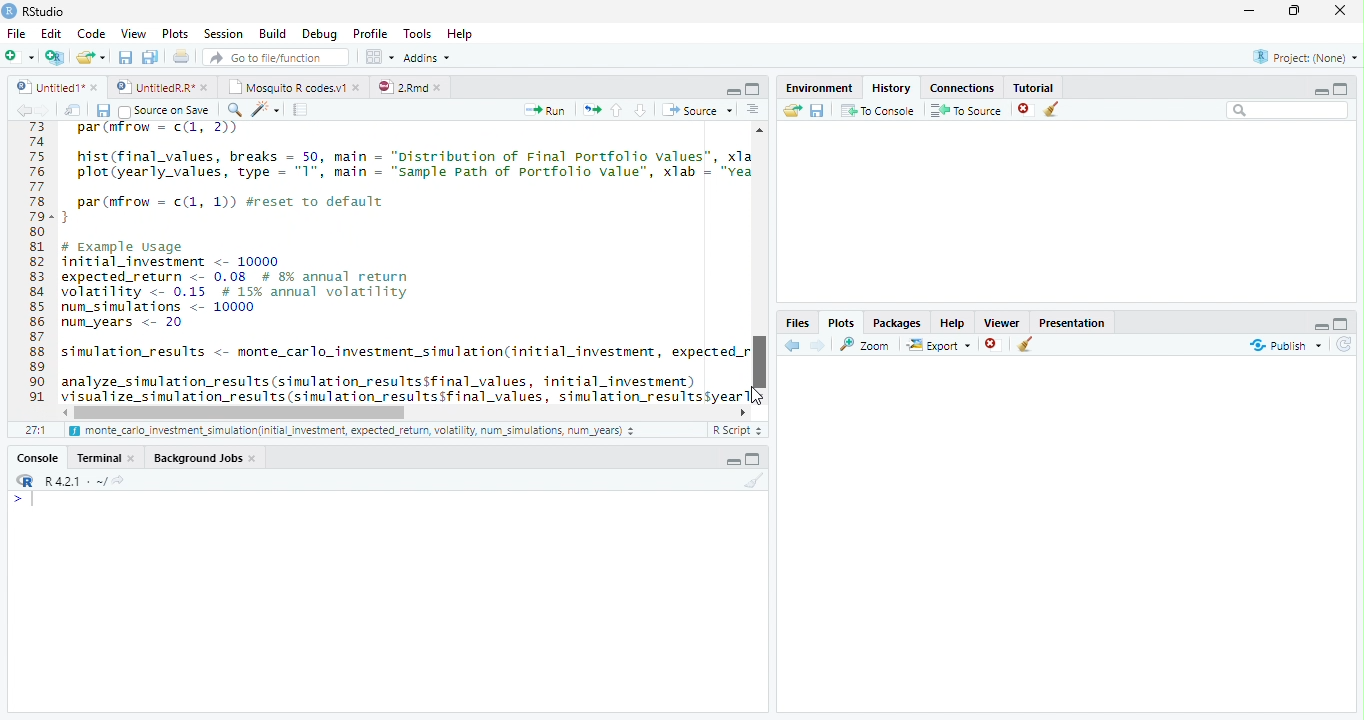 Image resolution: width=1364 pixels, height=720 pixels. Describe the element at coordinates (206, 457) in the screenshot. I see `Background Jobs.` at that location.